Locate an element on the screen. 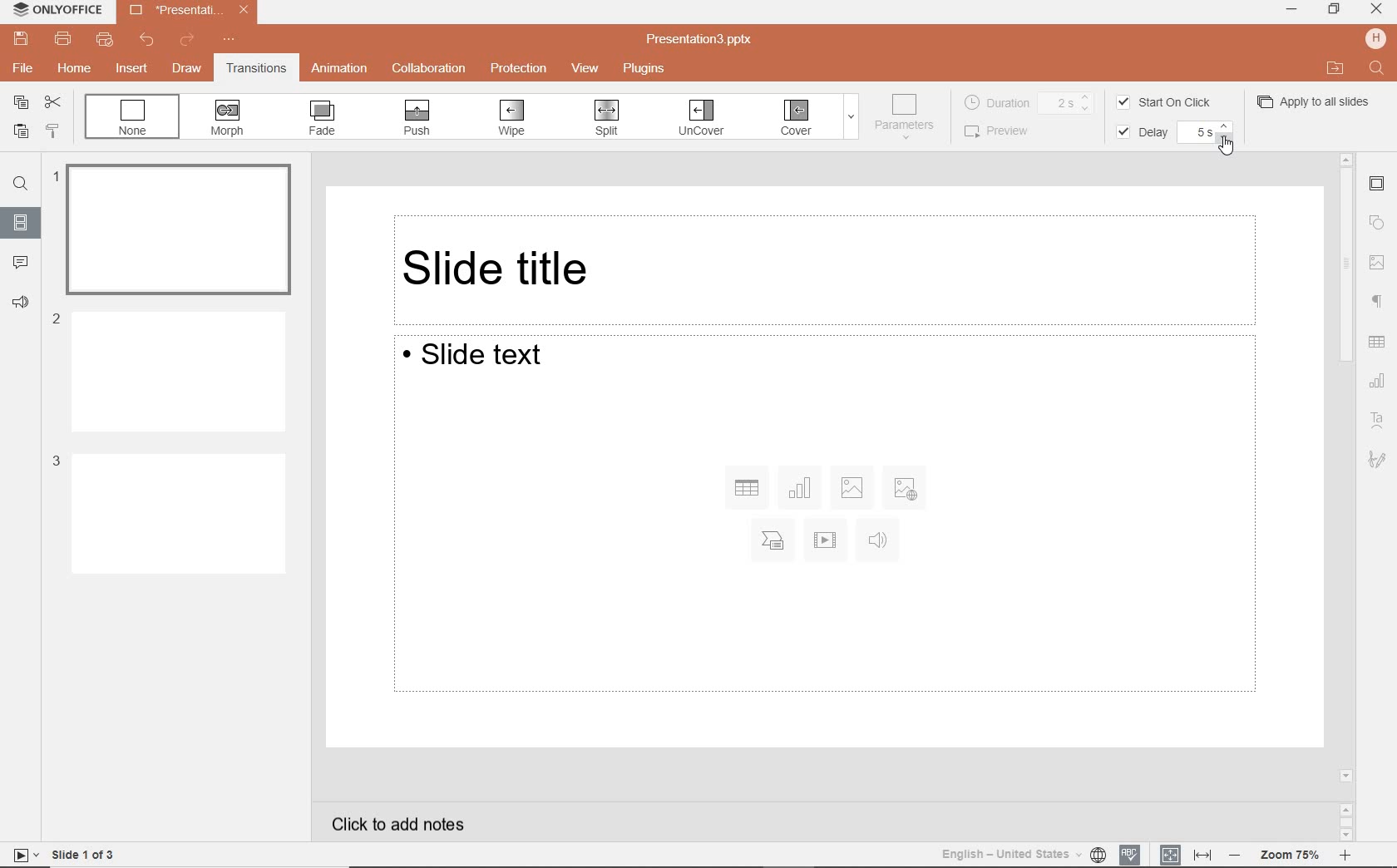 The width and height of the screenshot is (1397, 868). slide settings is located at coordinates (1377, 185).